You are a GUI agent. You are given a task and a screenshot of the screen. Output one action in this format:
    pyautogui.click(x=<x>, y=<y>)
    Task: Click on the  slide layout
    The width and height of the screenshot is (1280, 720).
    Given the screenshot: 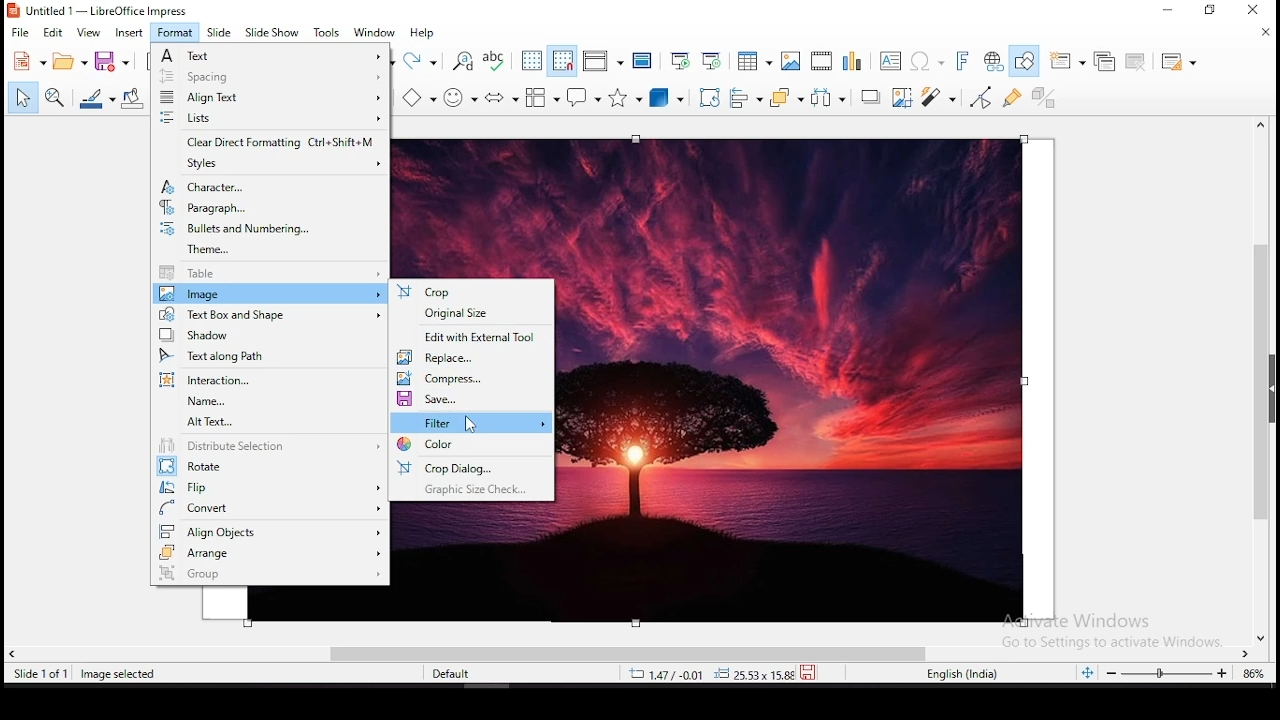 What is the action you would take?
    pyautogui.click(x=1178, y=62)
    